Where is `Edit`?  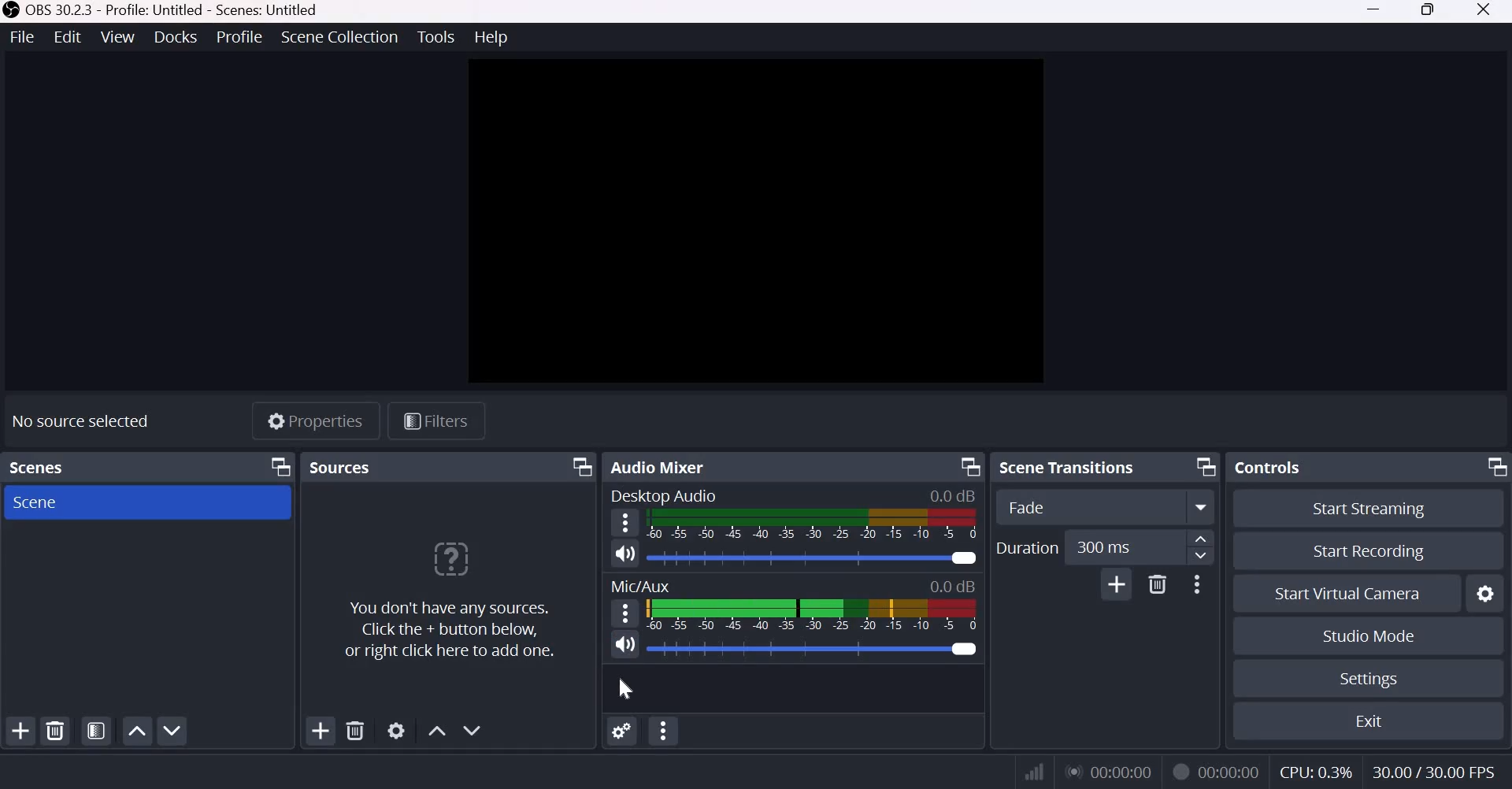
Edit is located at coordinates (67, 39).